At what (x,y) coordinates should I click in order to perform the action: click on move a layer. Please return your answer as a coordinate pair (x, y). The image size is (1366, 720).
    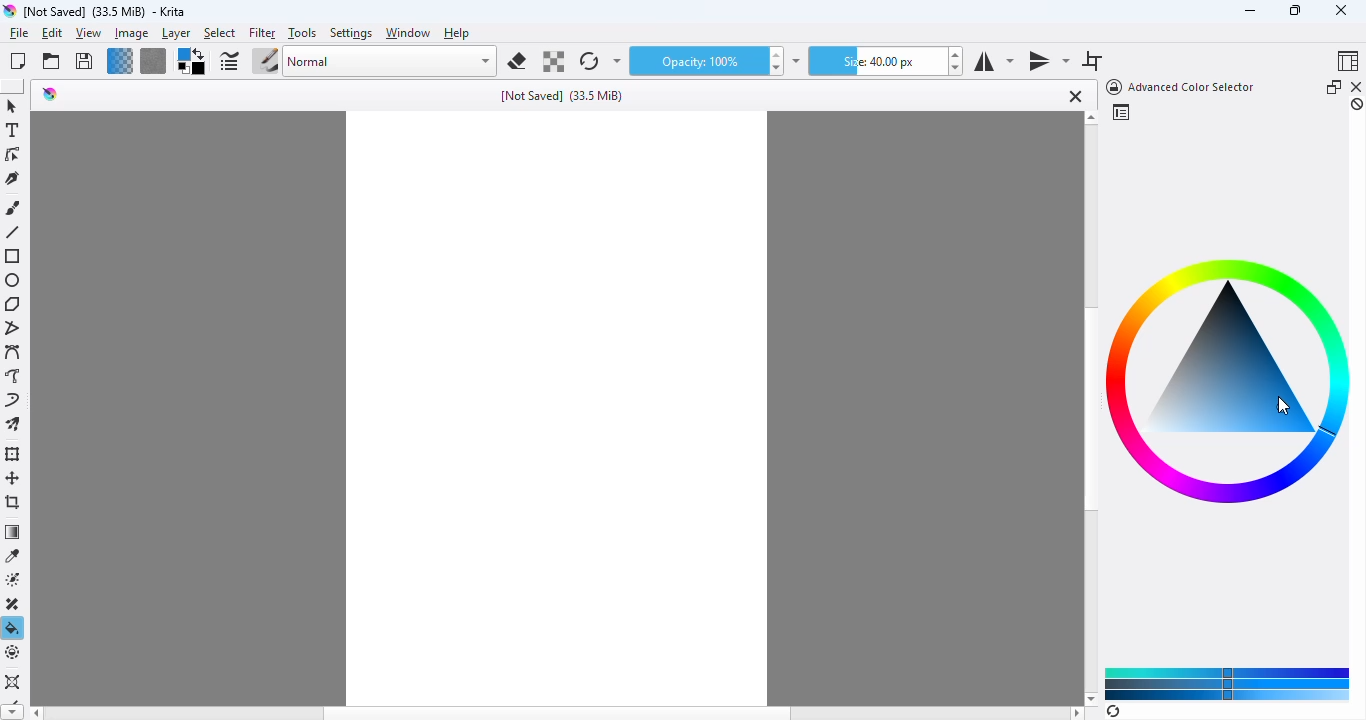
    Looking at the image, I should click on (13, 478).